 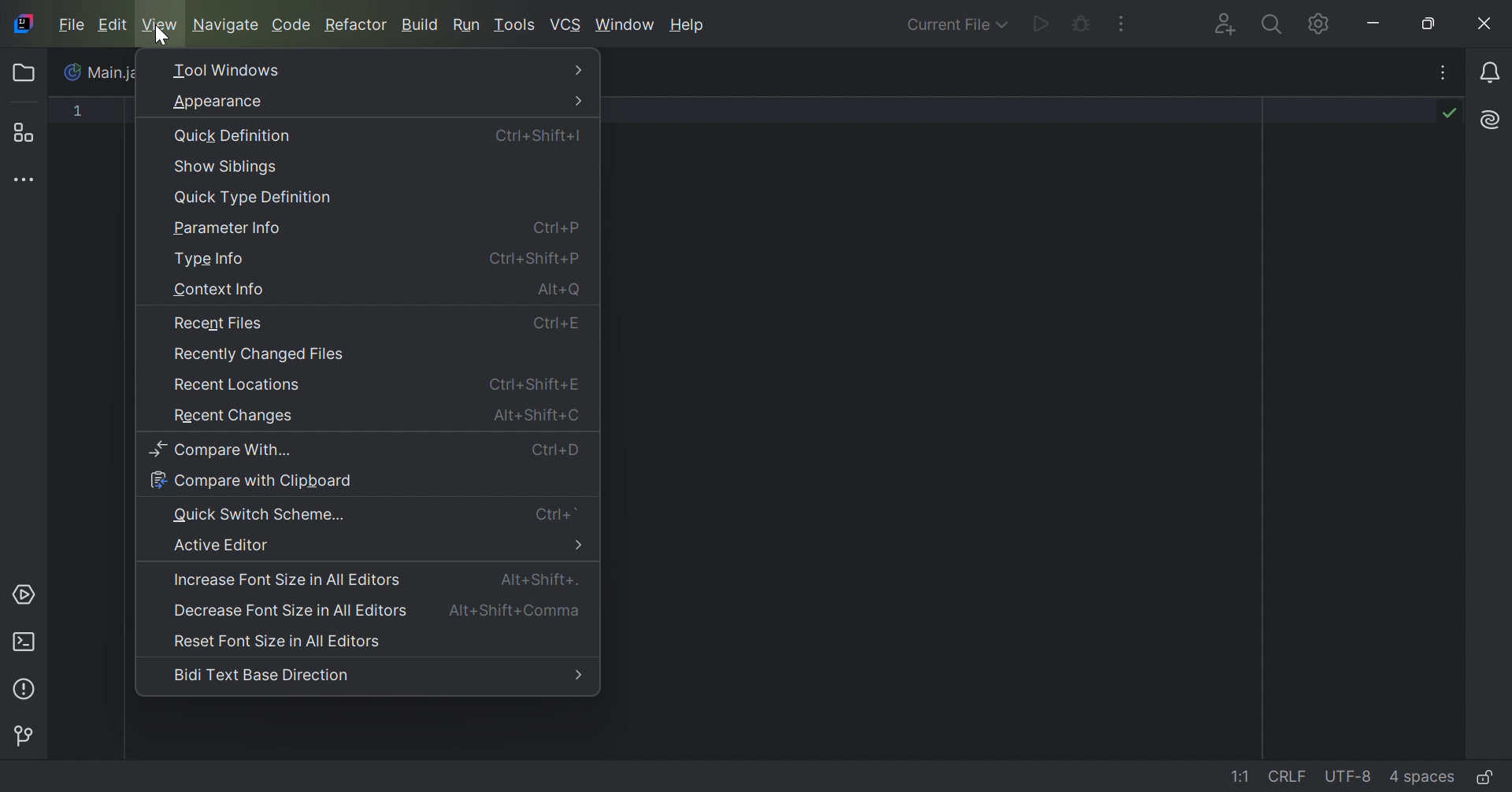 What do you see at coordinates (560, 291) in the screenshot?
I see `Alt+Q` at bounding box center [560, 291].